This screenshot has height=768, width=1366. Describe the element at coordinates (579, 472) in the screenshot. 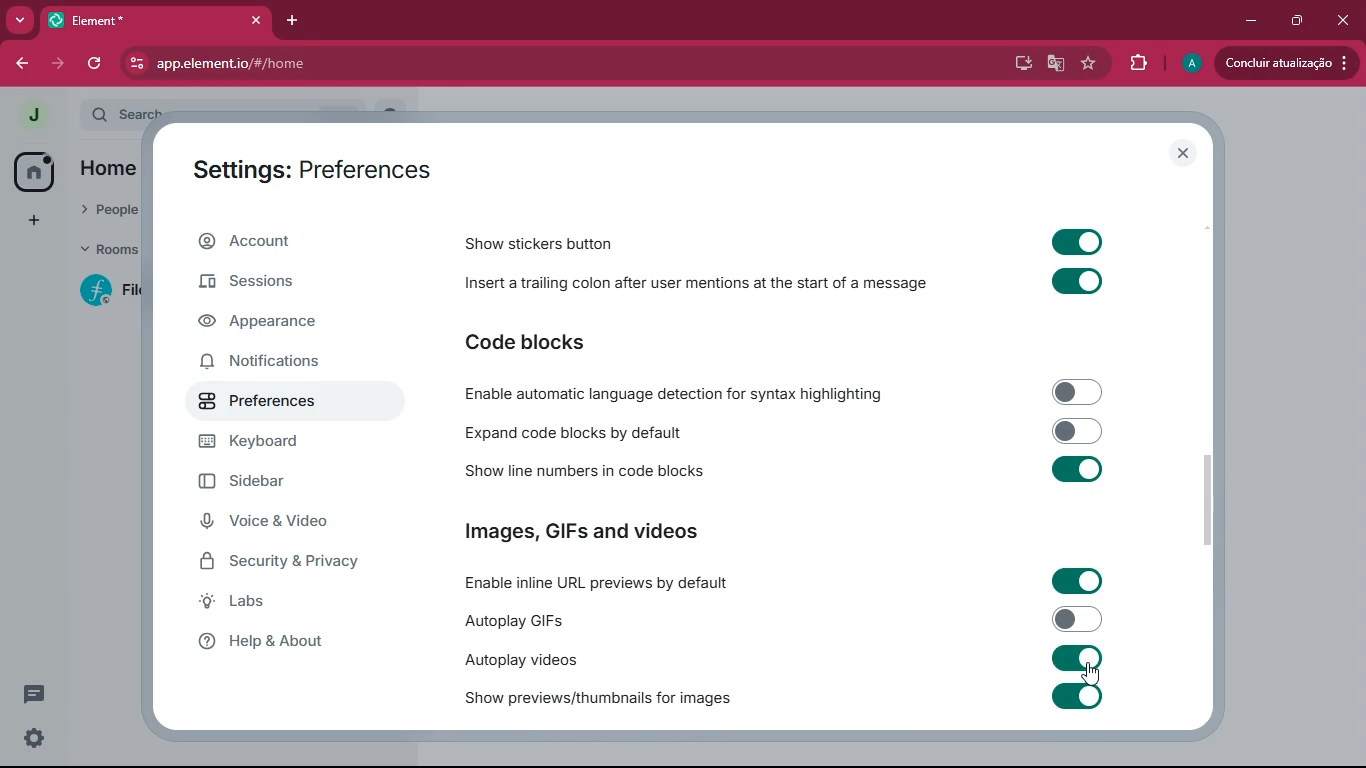

I see `line numbers` at that location.